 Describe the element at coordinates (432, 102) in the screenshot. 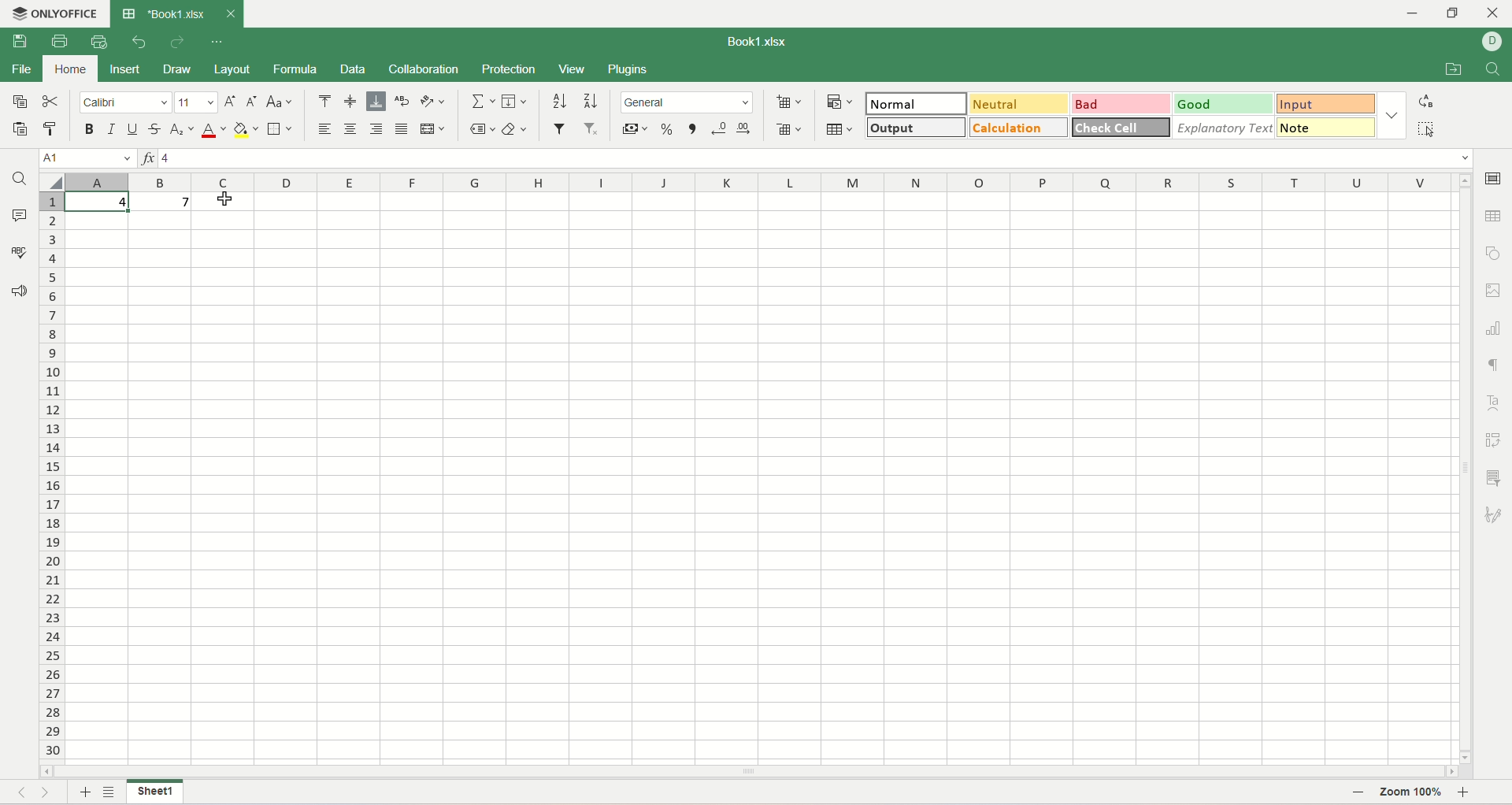

I see `orientation` at that location.